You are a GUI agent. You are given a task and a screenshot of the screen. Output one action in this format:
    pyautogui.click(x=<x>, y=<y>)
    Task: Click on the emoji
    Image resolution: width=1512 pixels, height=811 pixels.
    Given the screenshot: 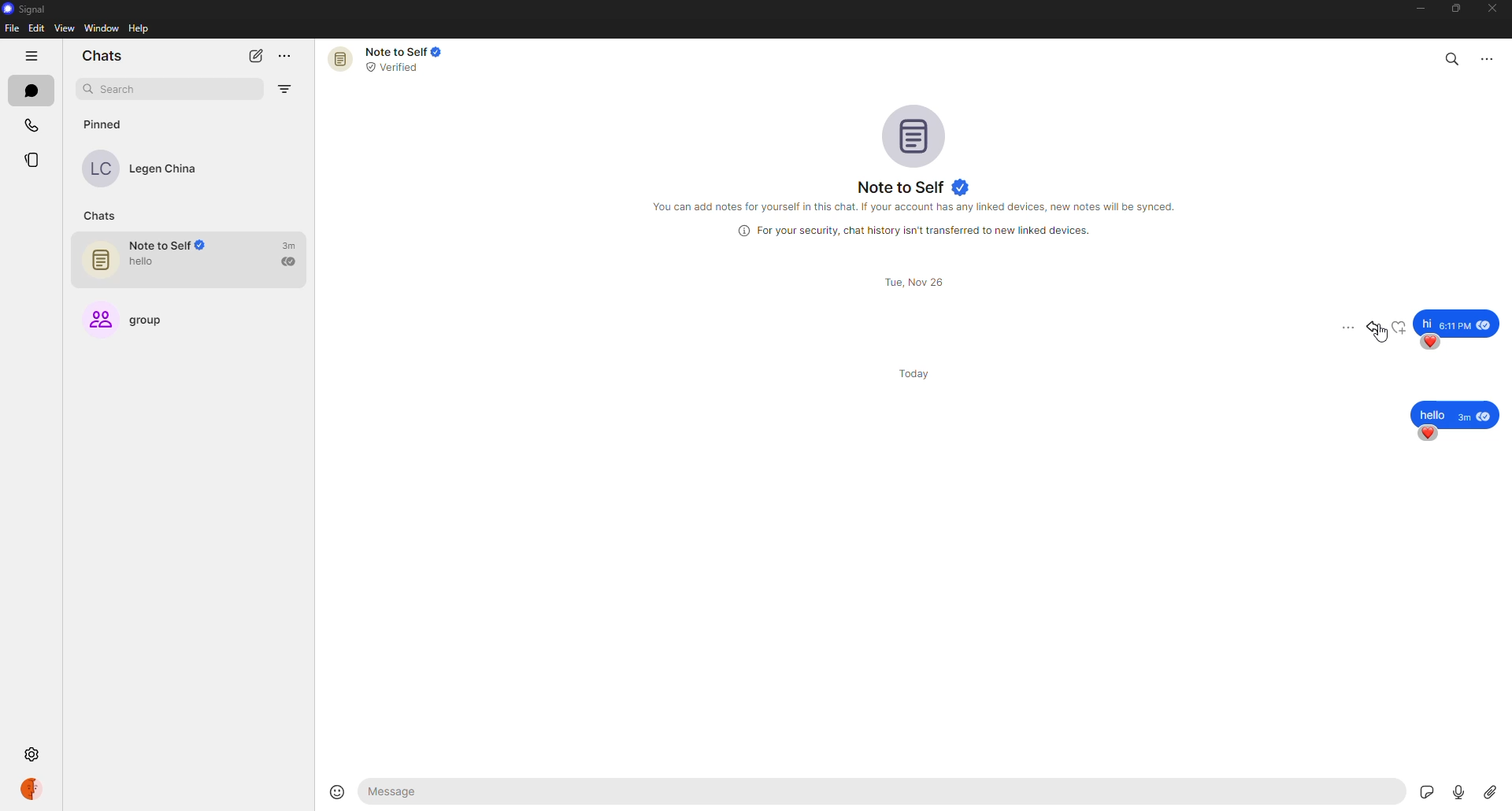 What is the action you would take?
    pyautogui.click(x=337, y=791)
    